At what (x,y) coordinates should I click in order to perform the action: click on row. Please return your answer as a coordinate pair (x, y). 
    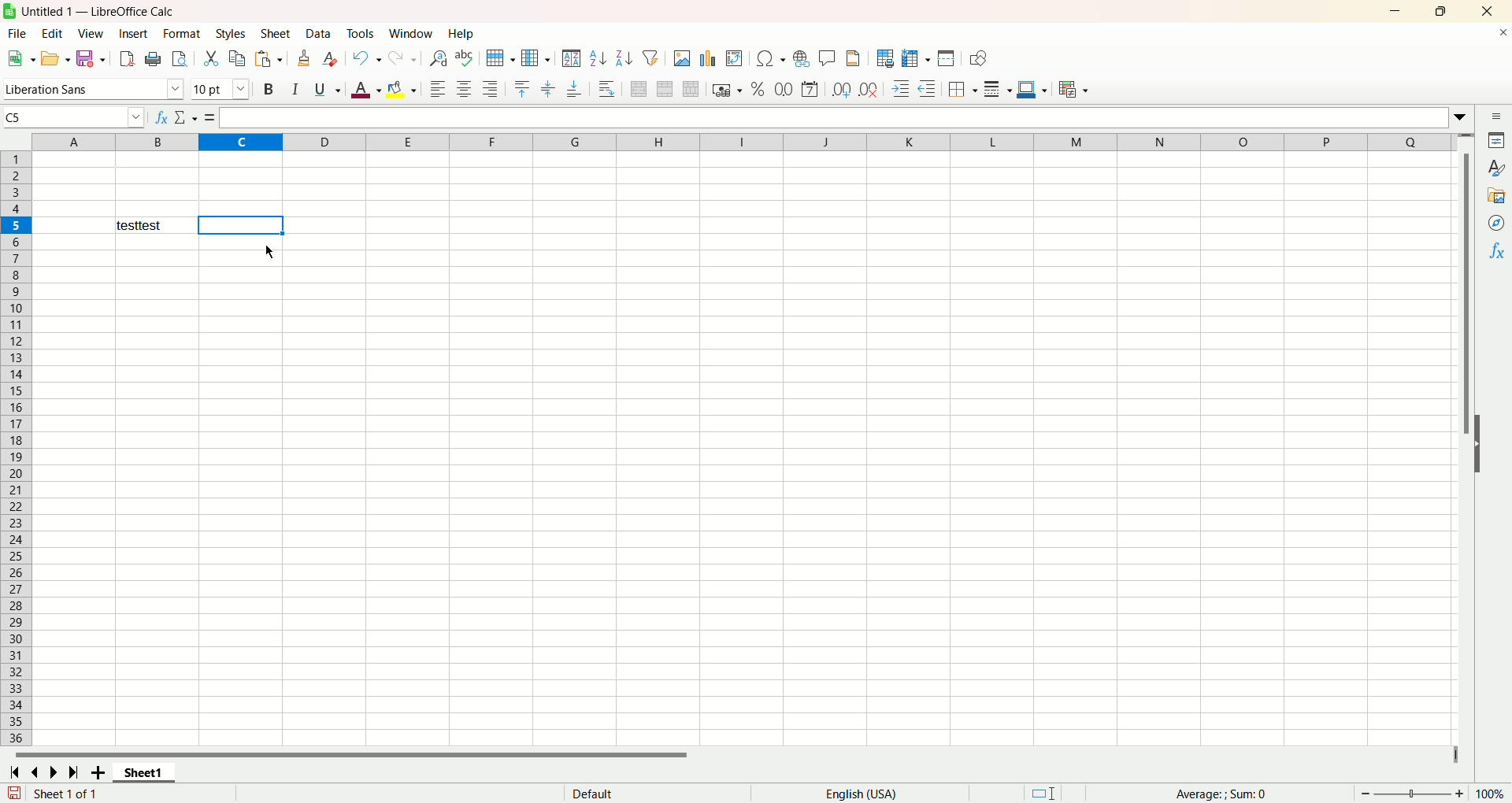
    Looking at the image, I should click on (502, 56).